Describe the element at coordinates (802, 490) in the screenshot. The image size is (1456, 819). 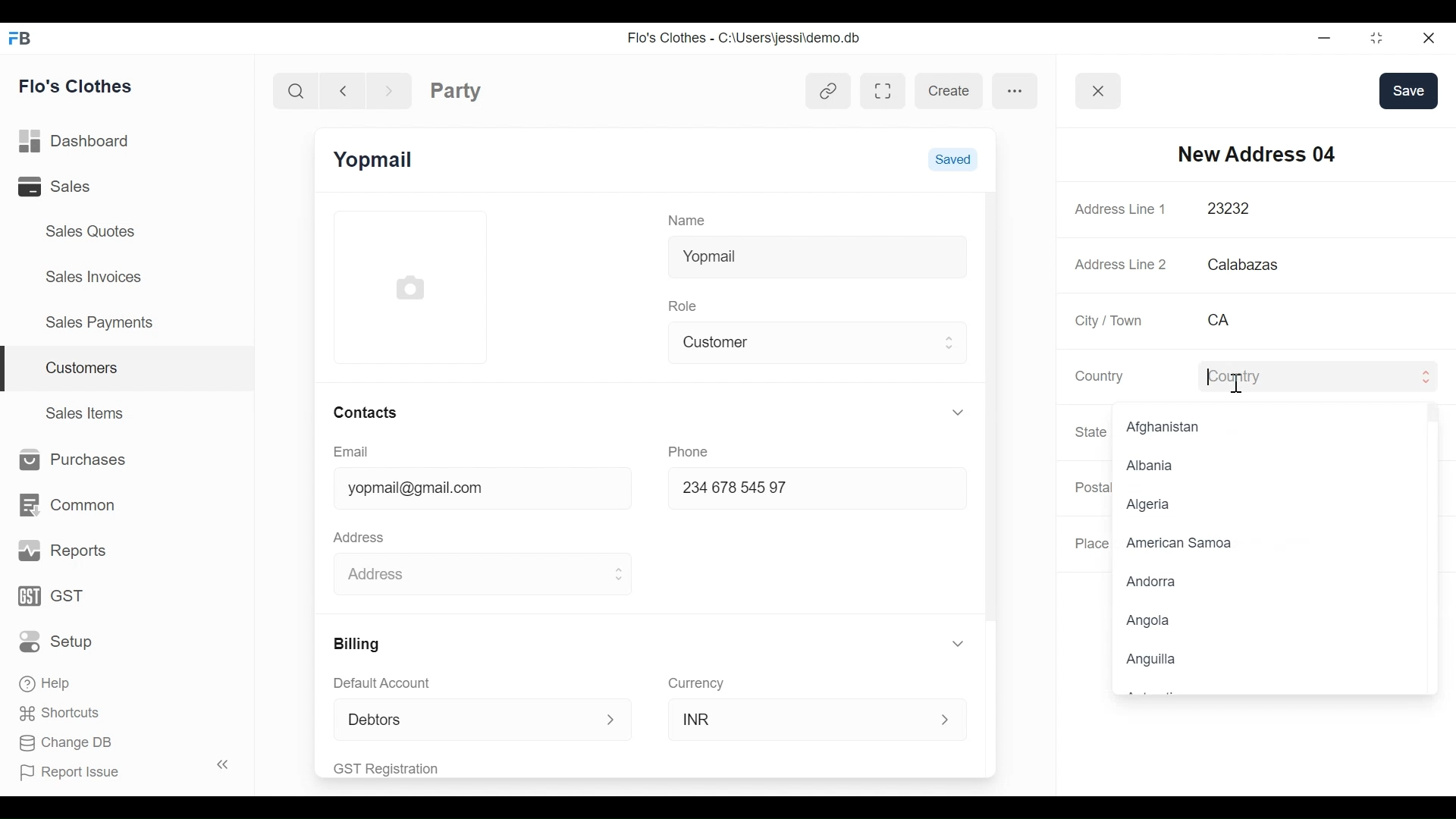
I see `234678 54597` at that location.